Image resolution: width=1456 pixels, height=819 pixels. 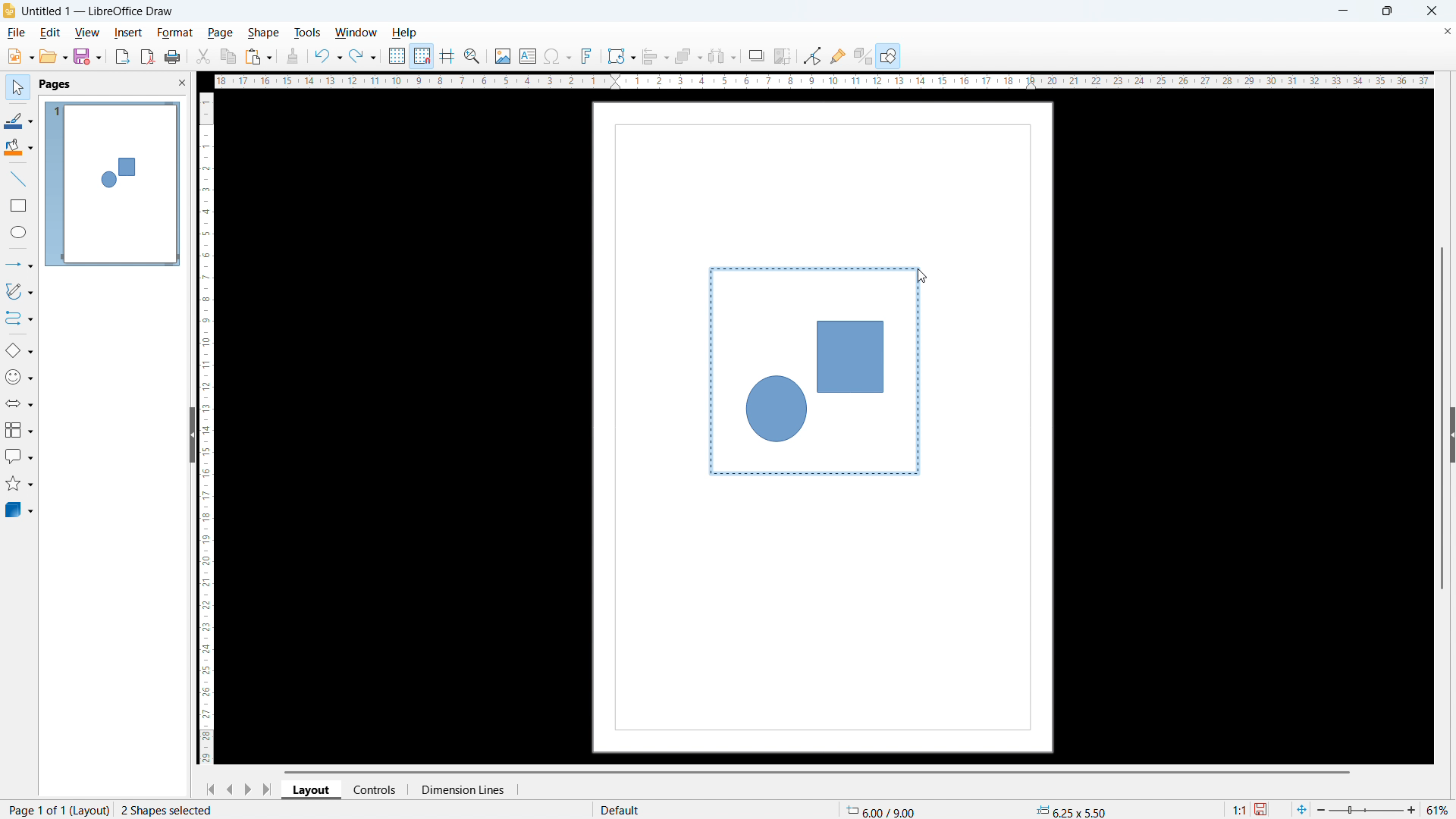 I want to click on vertical scrollbar, so click(x=1442, y=416).